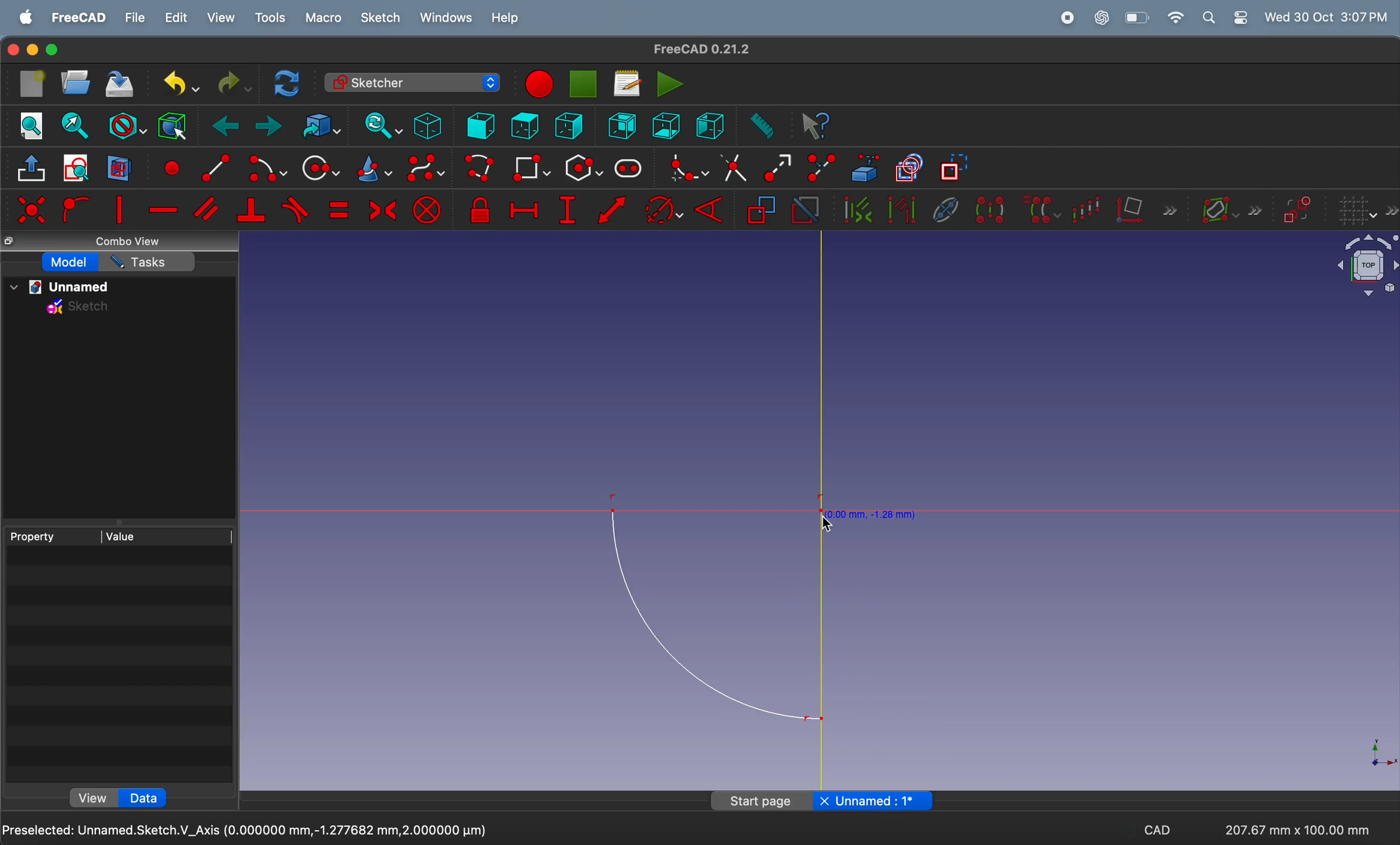 Image resolution: width=1400 pixels, height=845 pixels. What do you see at coordinates (381, 18) in the screenshot?
I see `sketch` at bounding box center [381, 18].